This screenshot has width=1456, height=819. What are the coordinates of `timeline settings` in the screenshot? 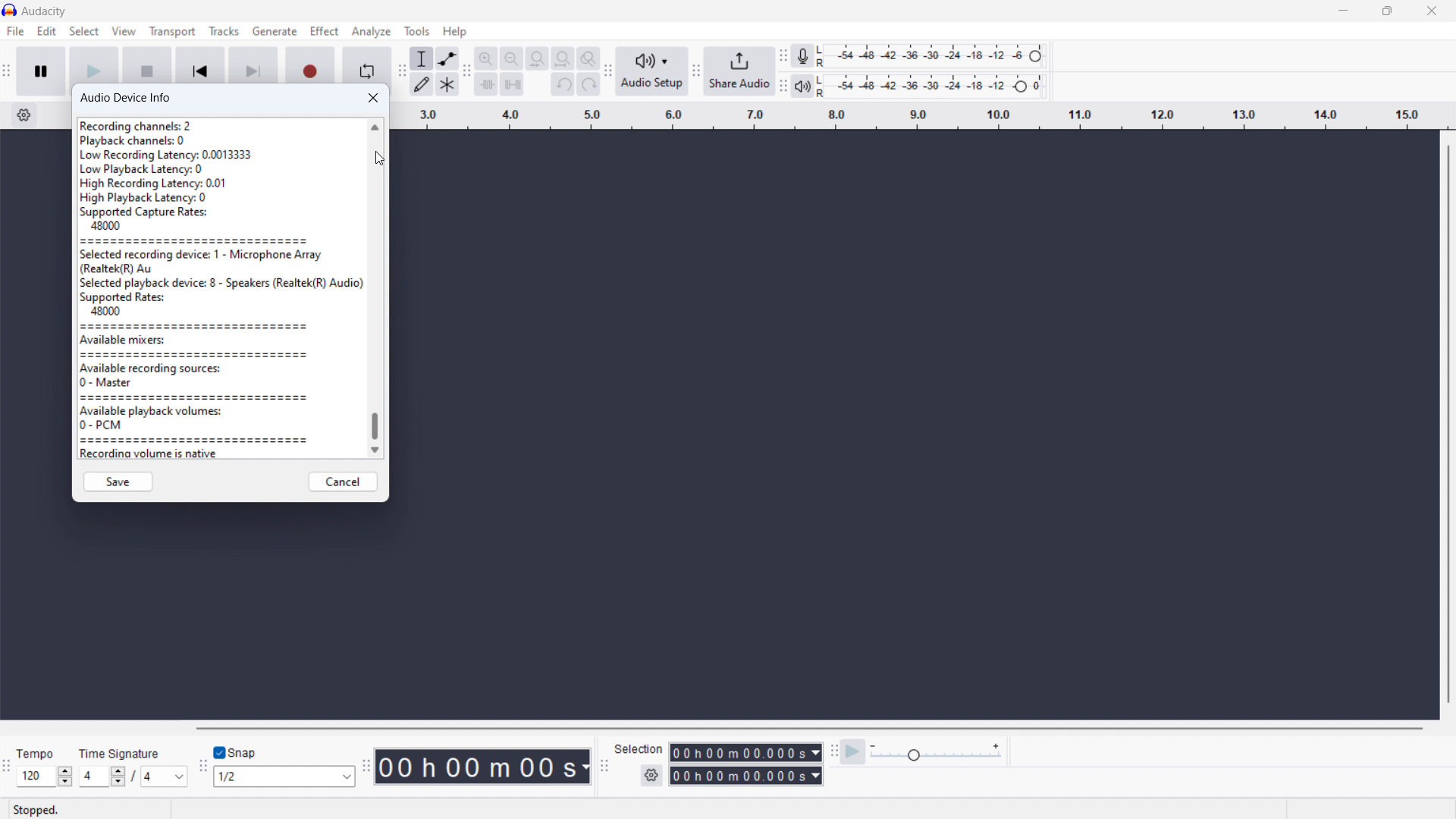 It's located at (24, 116).